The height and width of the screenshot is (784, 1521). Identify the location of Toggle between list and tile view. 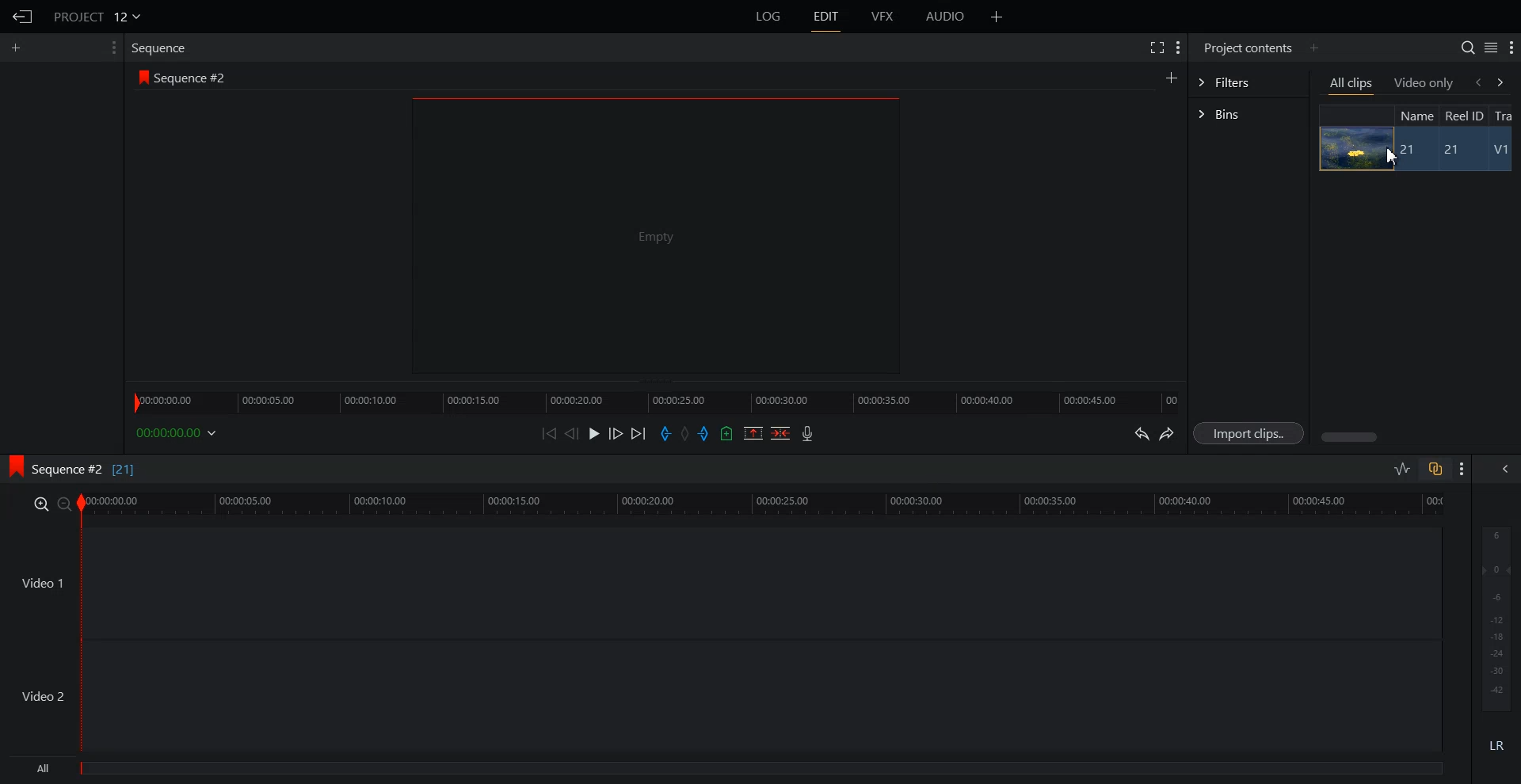
(1491, 48).